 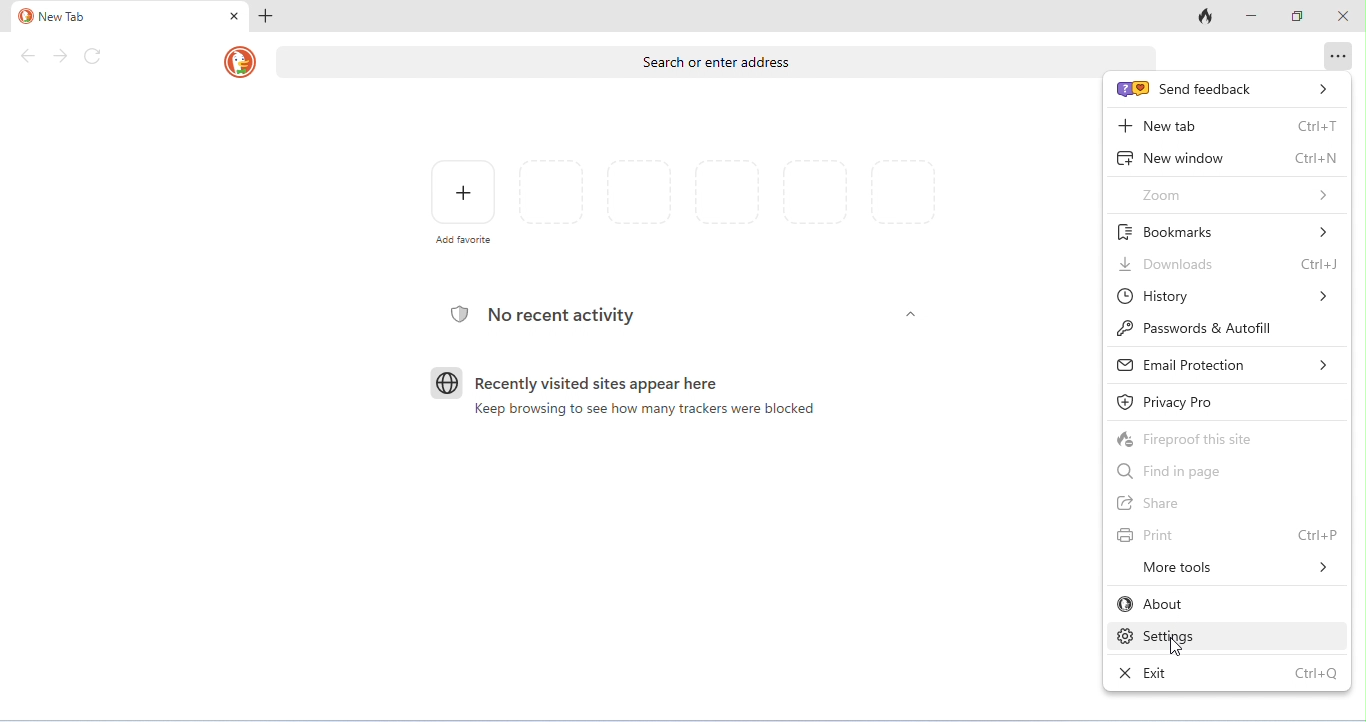 I want to click on settings, so click(x=1227, y=636).